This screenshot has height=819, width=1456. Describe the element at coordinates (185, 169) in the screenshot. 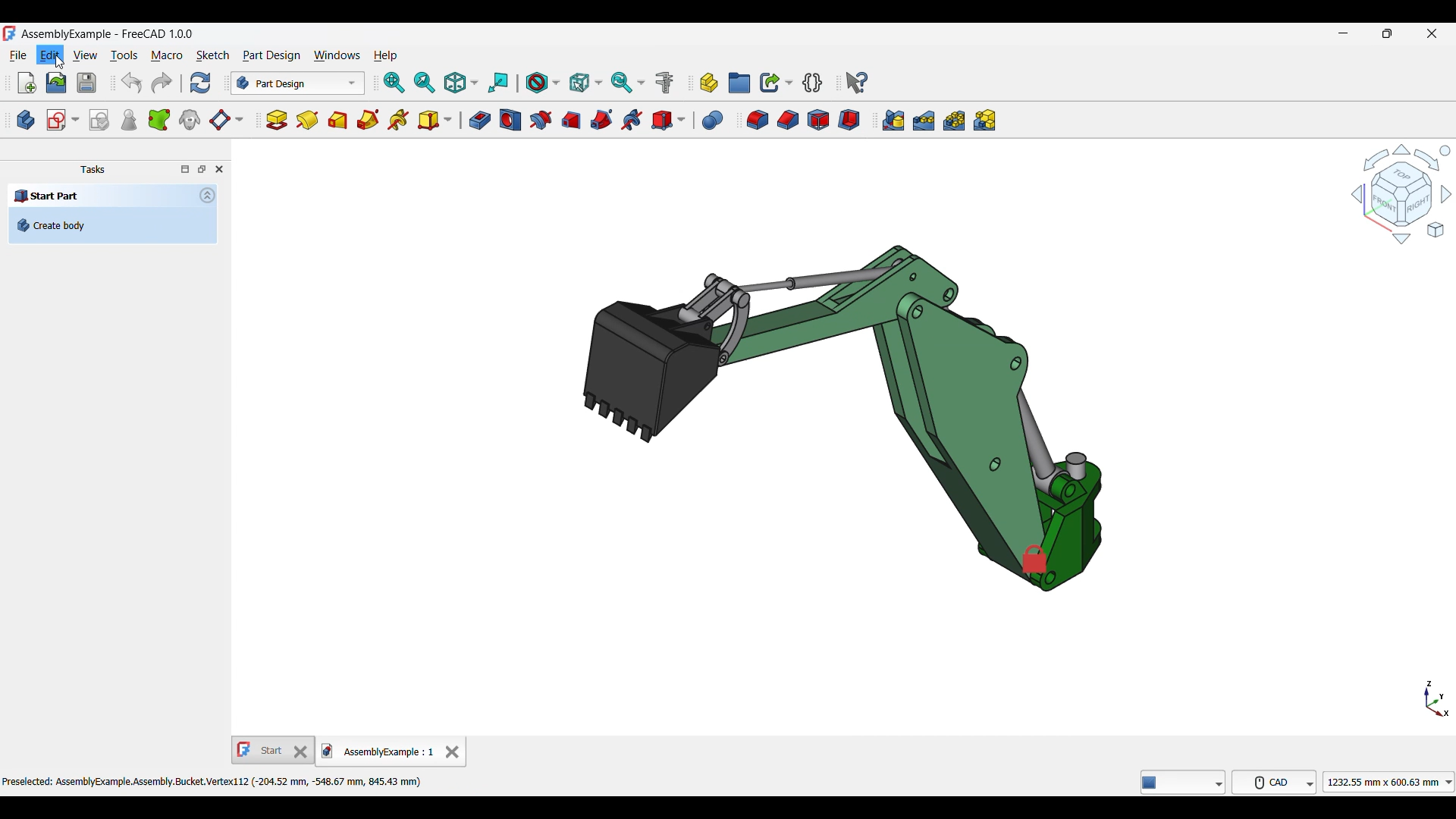

I see `Toggle overlay` at that location.